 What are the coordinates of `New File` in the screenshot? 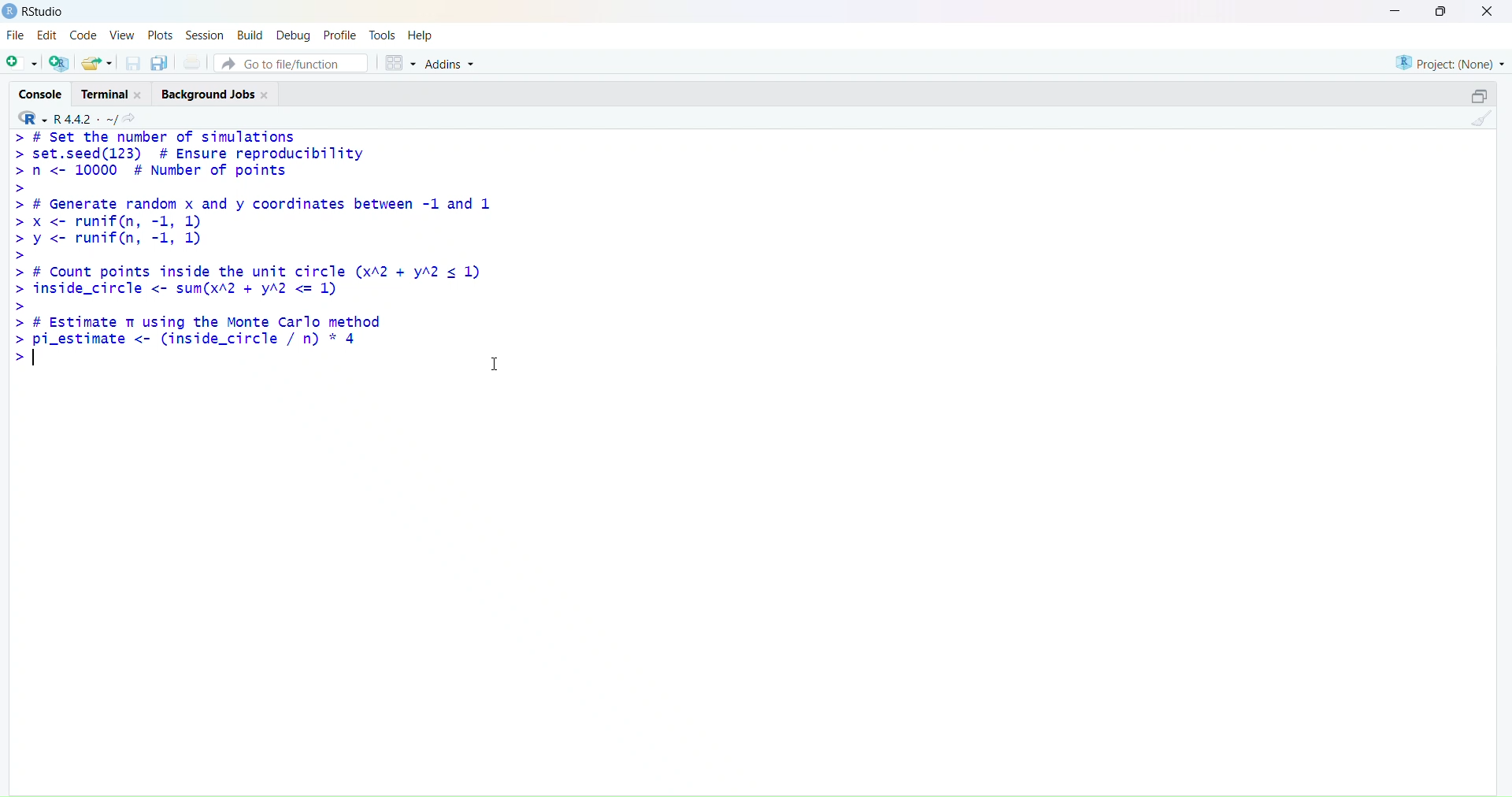 It's located at (22, 63).